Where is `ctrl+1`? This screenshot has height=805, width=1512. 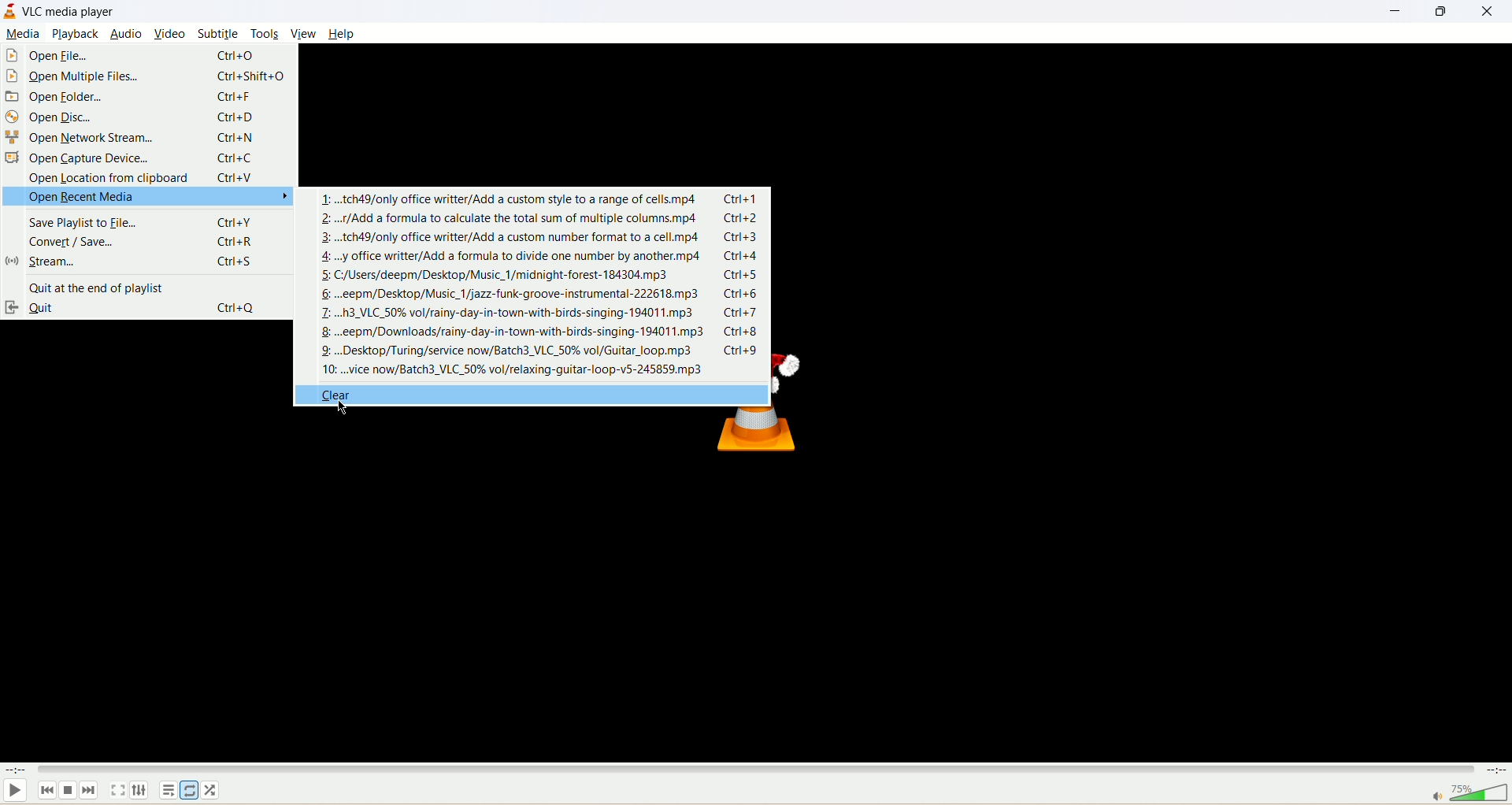 ctrl+1 is located at coordinates (745, 199).